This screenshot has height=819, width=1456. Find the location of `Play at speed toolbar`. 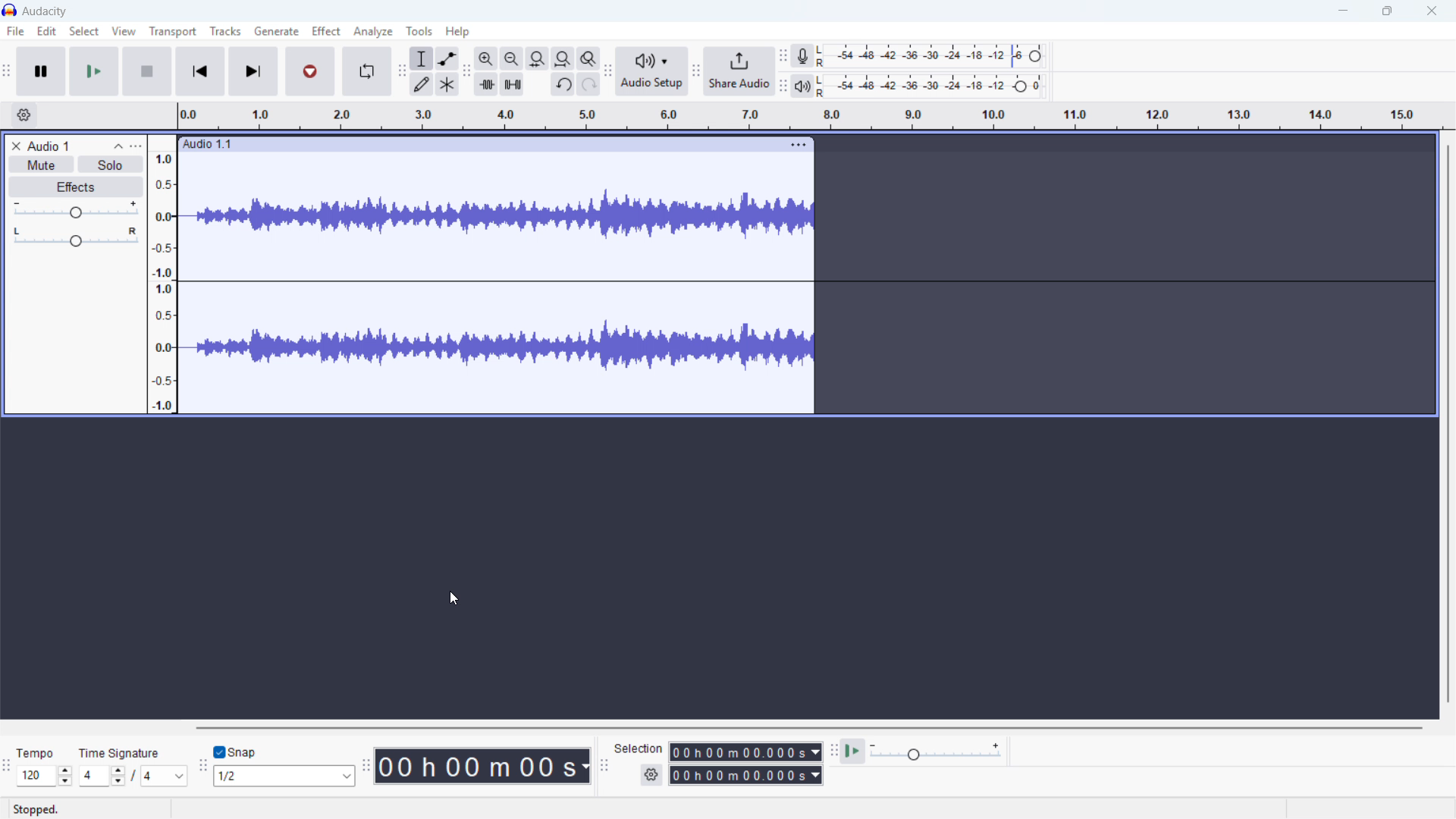

Play at speed toolbar is located at coordinates (833, 752).